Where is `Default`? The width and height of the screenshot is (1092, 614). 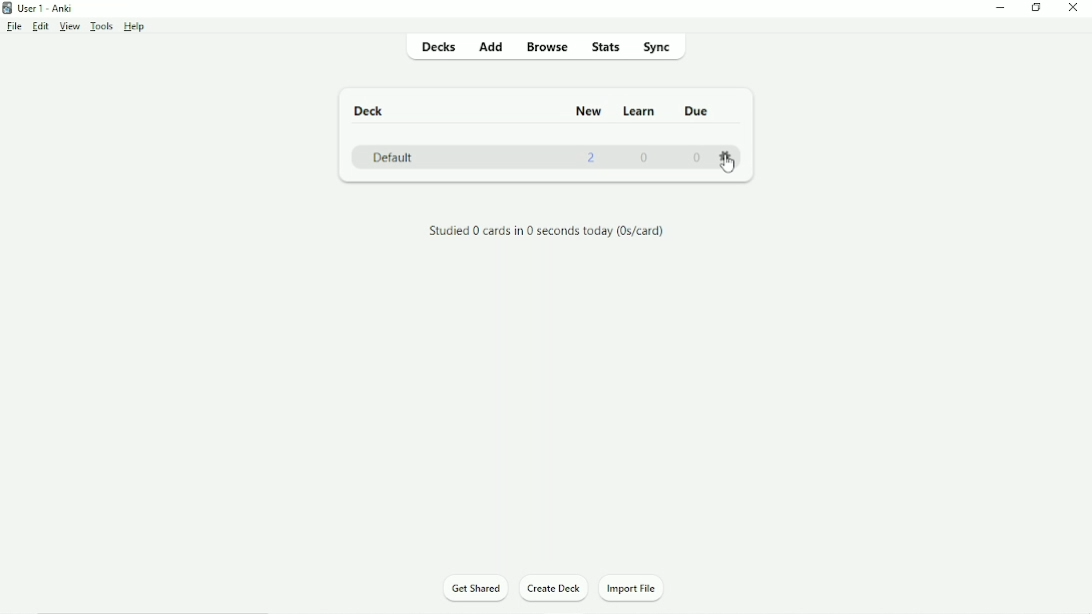 Default is located at coordinates (395, 157).